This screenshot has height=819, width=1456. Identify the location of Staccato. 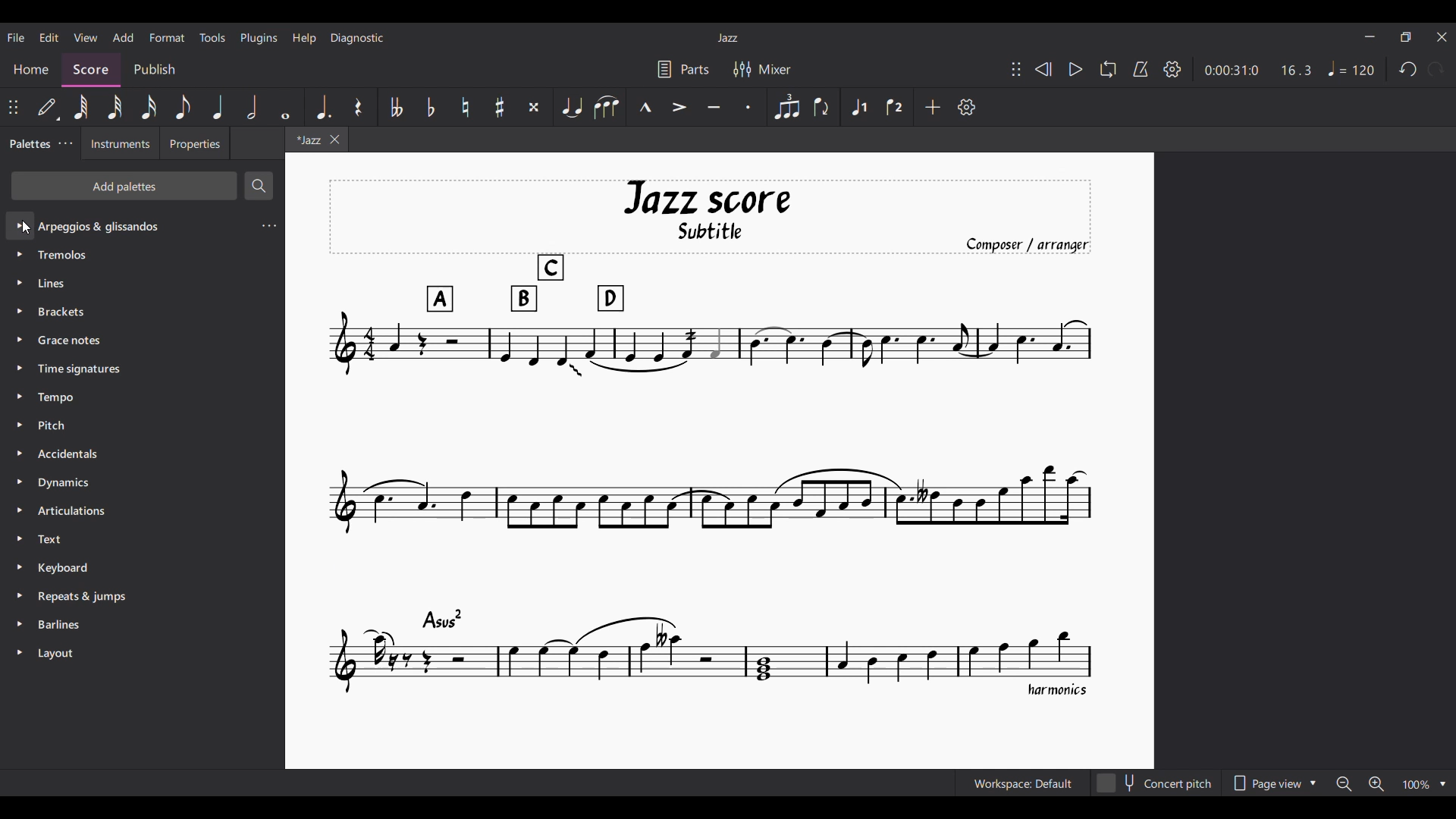
(748, 108).